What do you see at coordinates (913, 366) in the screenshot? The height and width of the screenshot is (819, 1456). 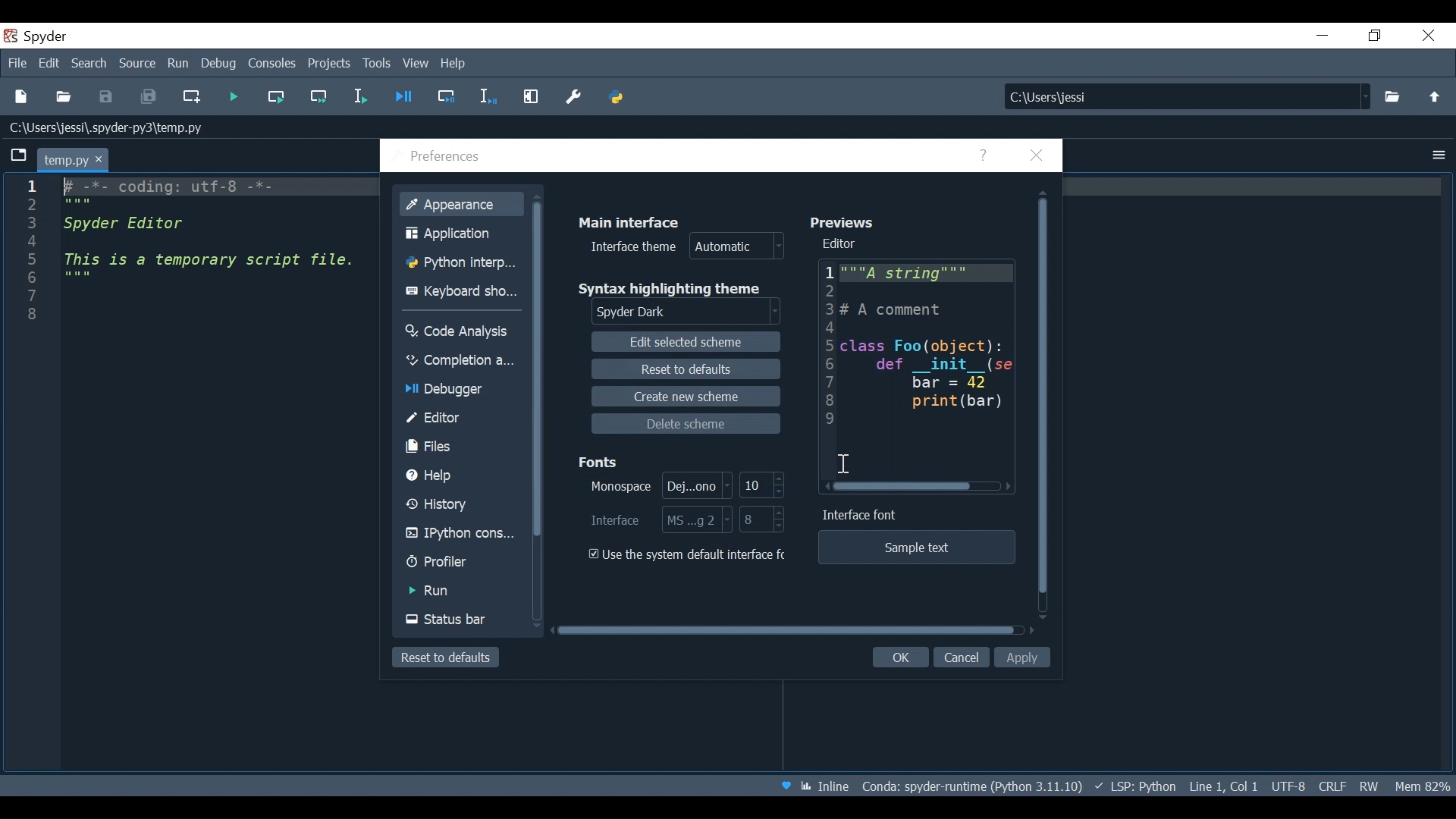 I see `Editor Preview` at bounding box center [913, 366].